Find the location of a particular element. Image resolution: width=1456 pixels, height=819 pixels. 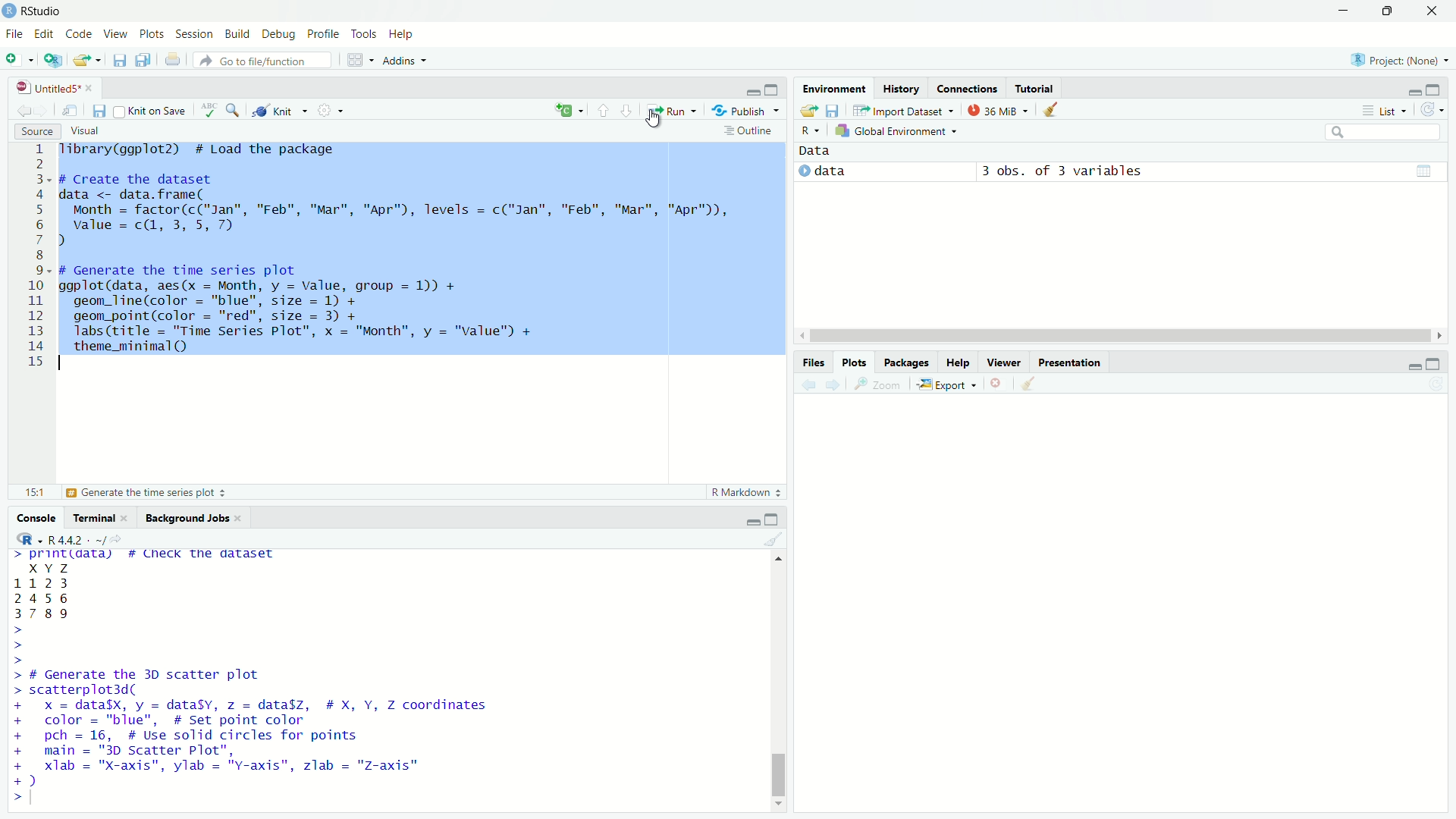

maximize is located at coordinates (1390, 11).